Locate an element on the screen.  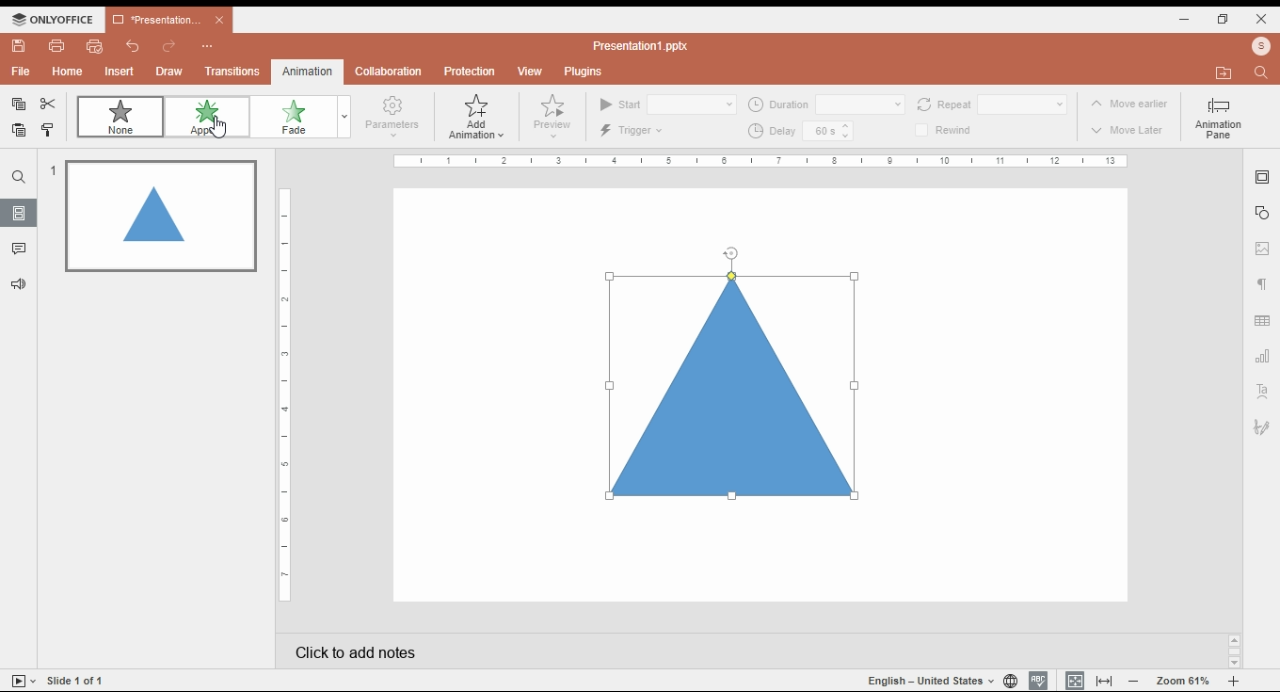
draw is located at coordinates (171, 72).